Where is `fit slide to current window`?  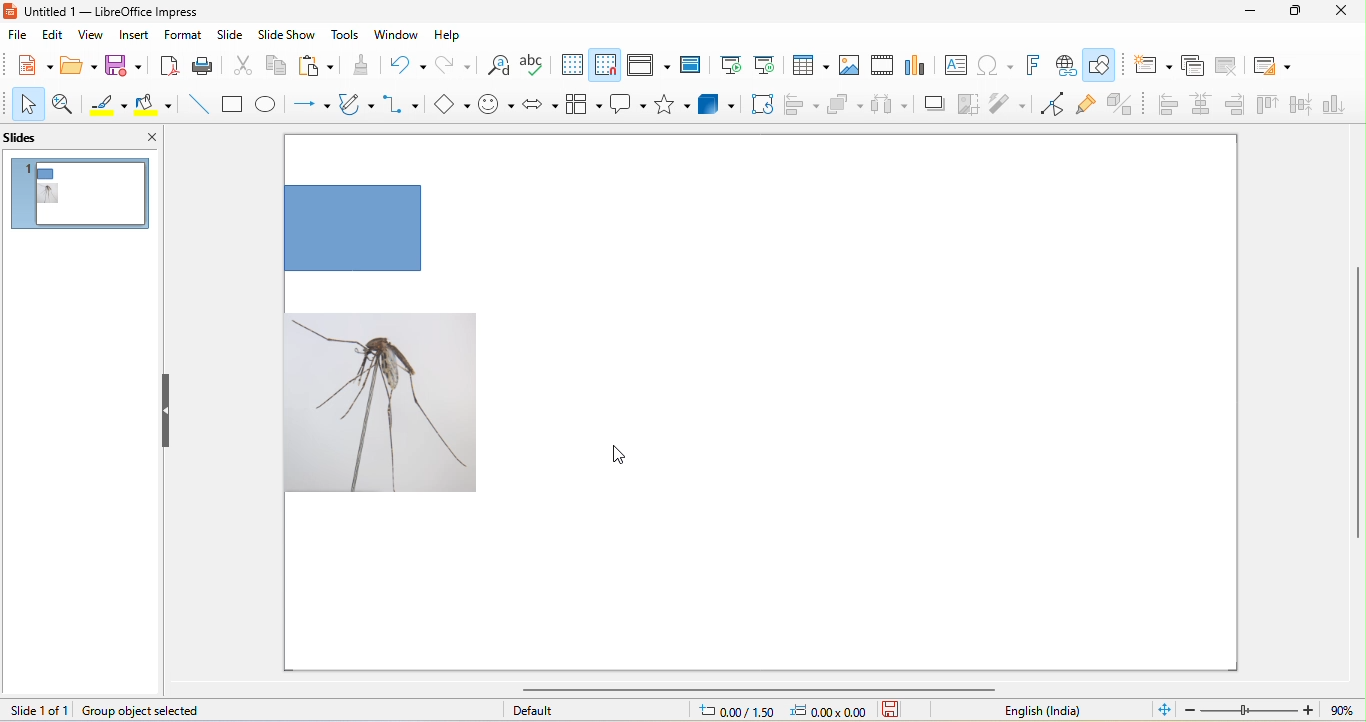
fit slide to current window is located at coordinates (1161, 711).